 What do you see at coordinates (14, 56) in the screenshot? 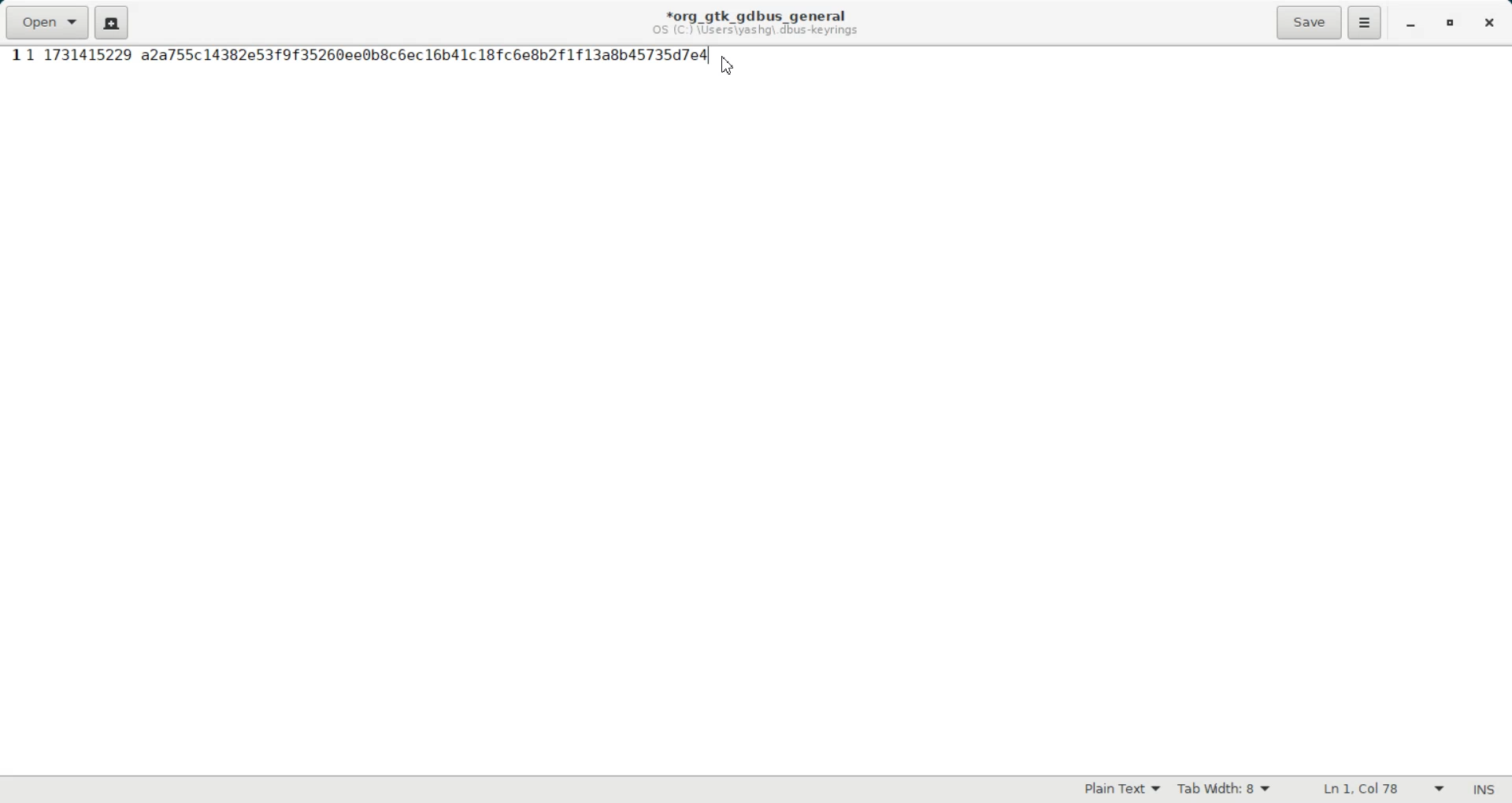
I see `Line Number` at bounding box center [14, 56].